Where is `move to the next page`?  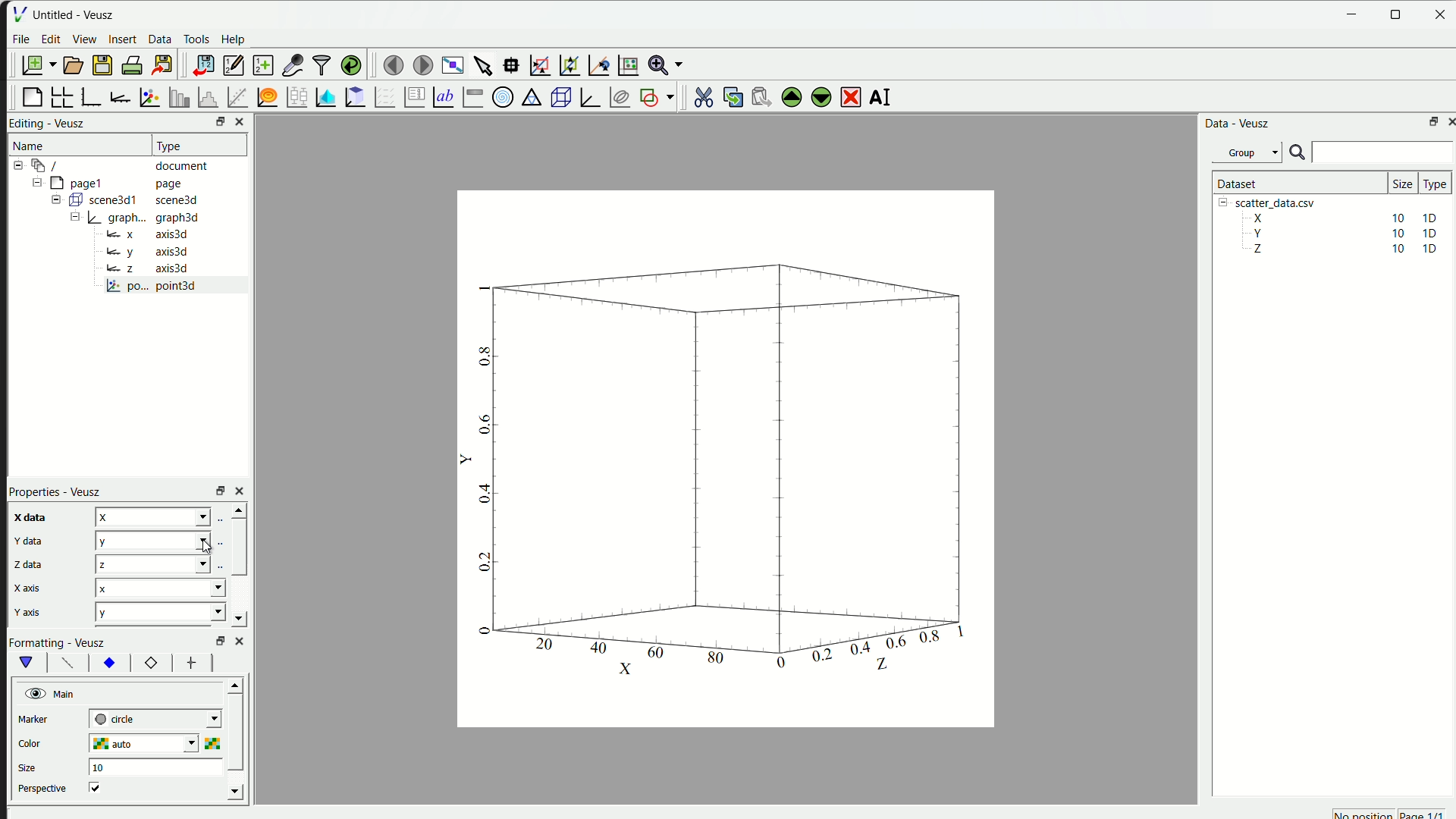 move to the next page is located at coordinates (420, 64).